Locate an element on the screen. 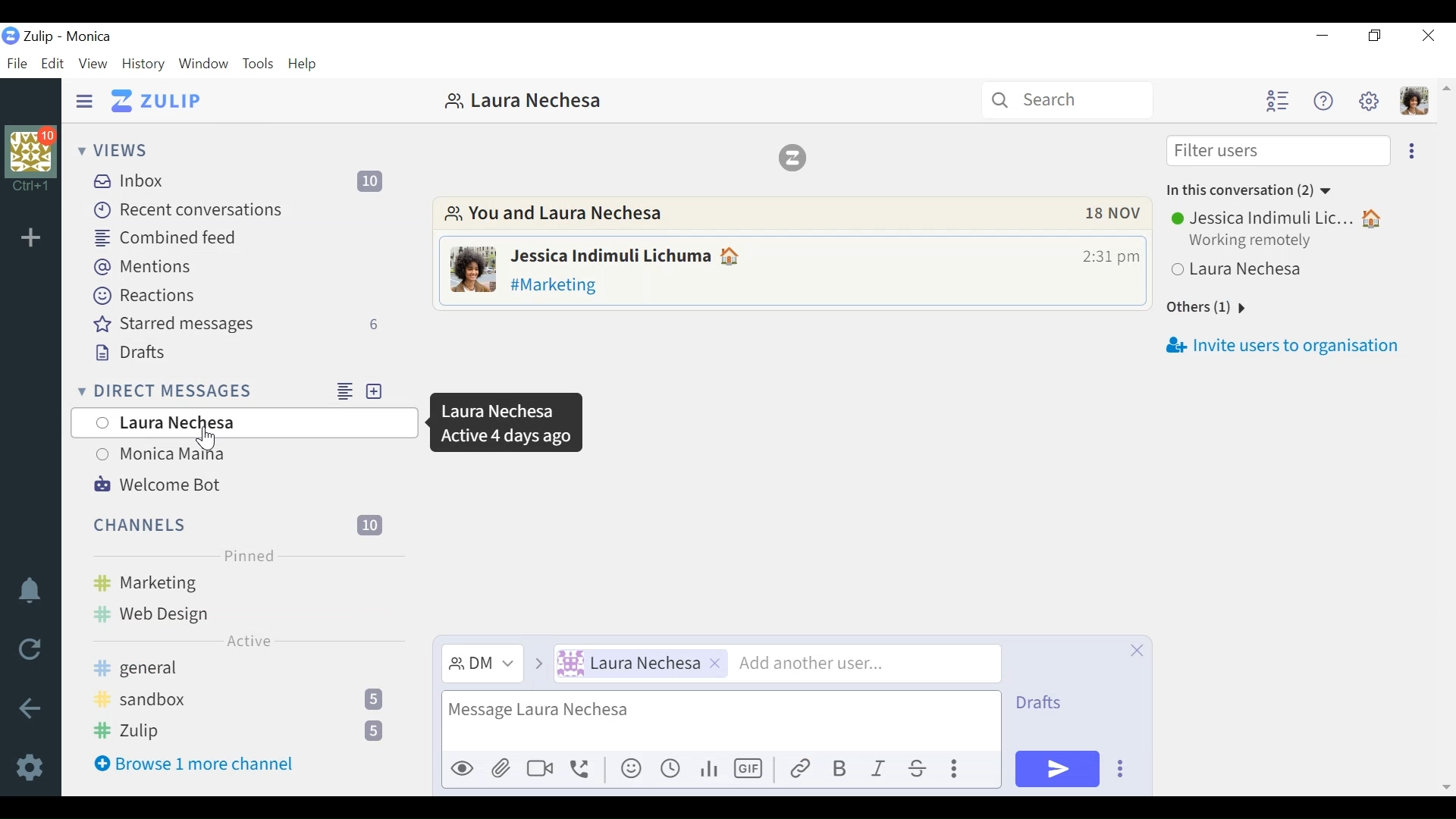 This screenshot has height=819, width=1456. user is located at coordinates (640, 665).